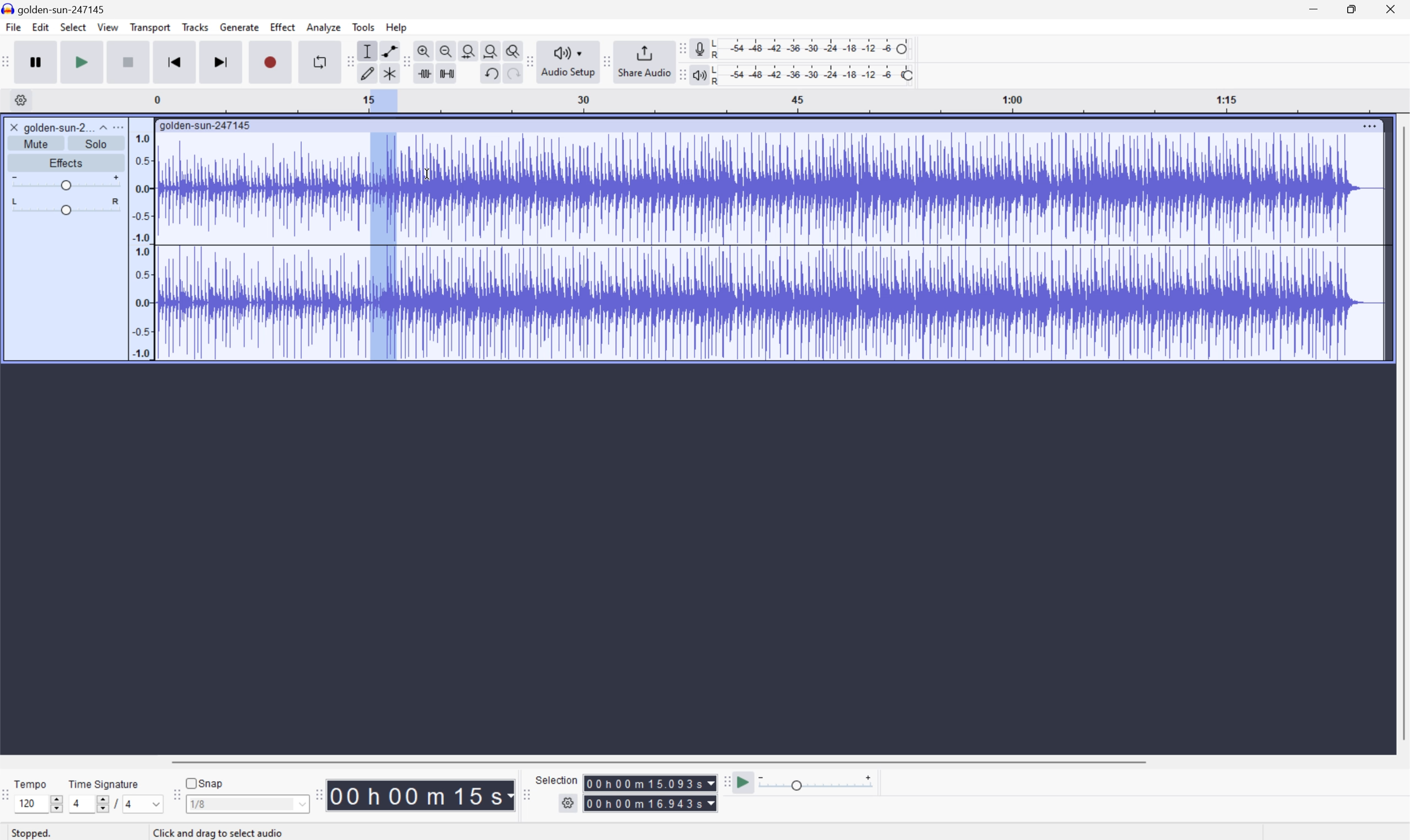 The width and height of the screenshot is (1410, 840). Describe the element at coordinates (121, 126) in the screenshot. I see `More` at that location.